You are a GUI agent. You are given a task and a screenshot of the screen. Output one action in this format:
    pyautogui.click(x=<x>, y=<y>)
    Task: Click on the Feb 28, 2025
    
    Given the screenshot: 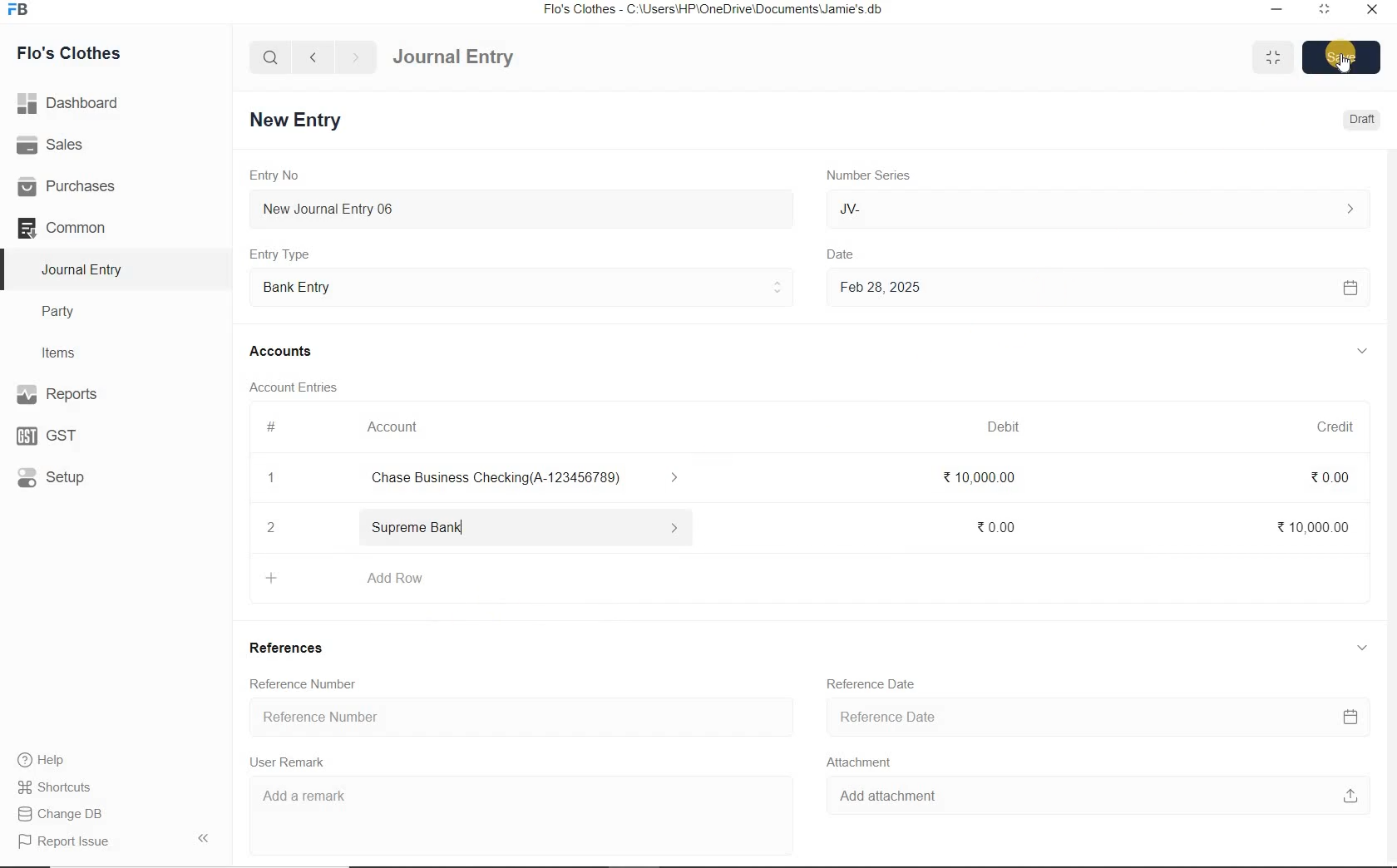 What is the action you would take?
    pyautogui.click(x=1097, y=288)
    